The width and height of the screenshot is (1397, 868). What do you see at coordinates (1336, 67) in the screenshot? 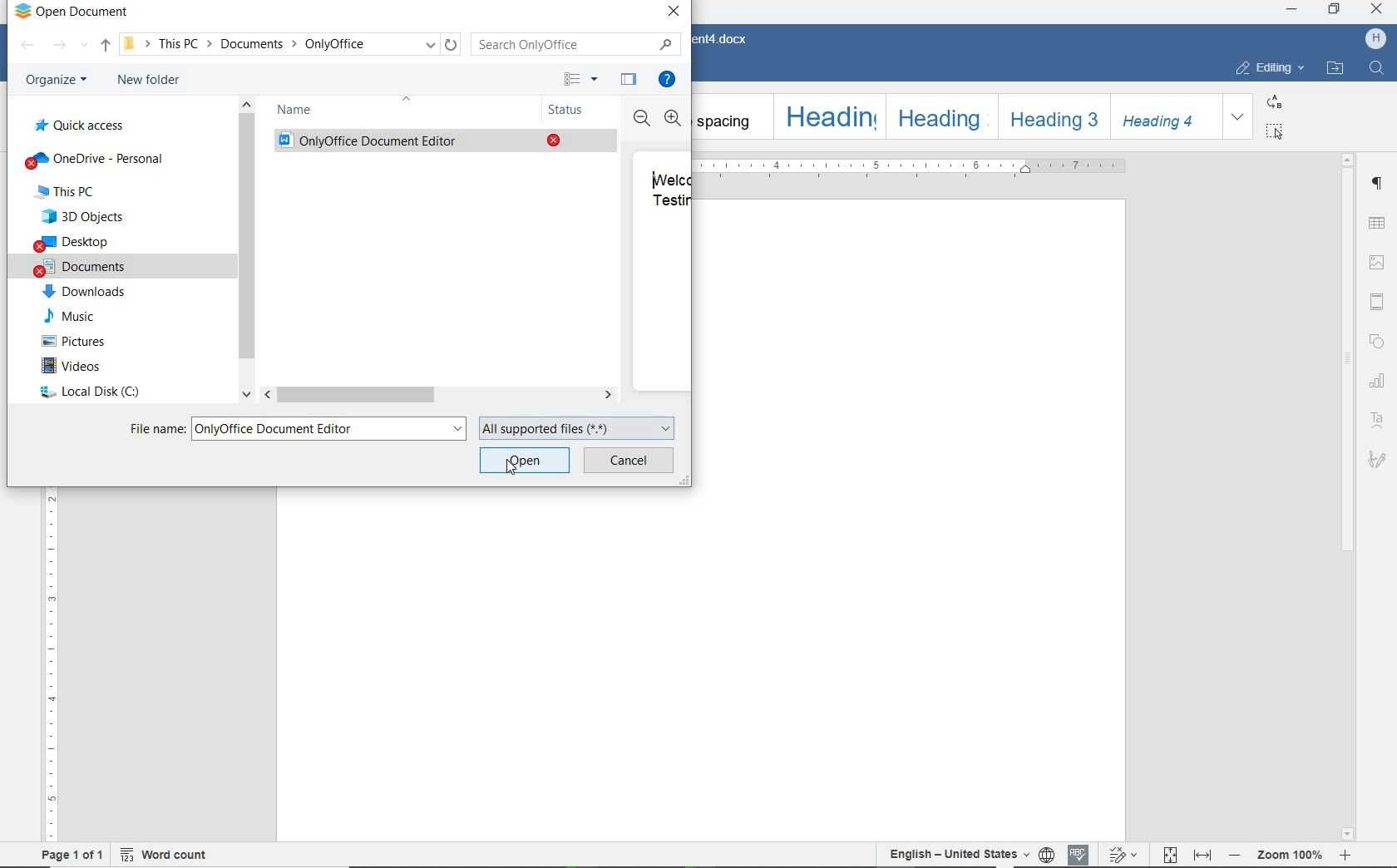
I see `OPEN FILE LOCATION` at bounding box center [1336, 67].